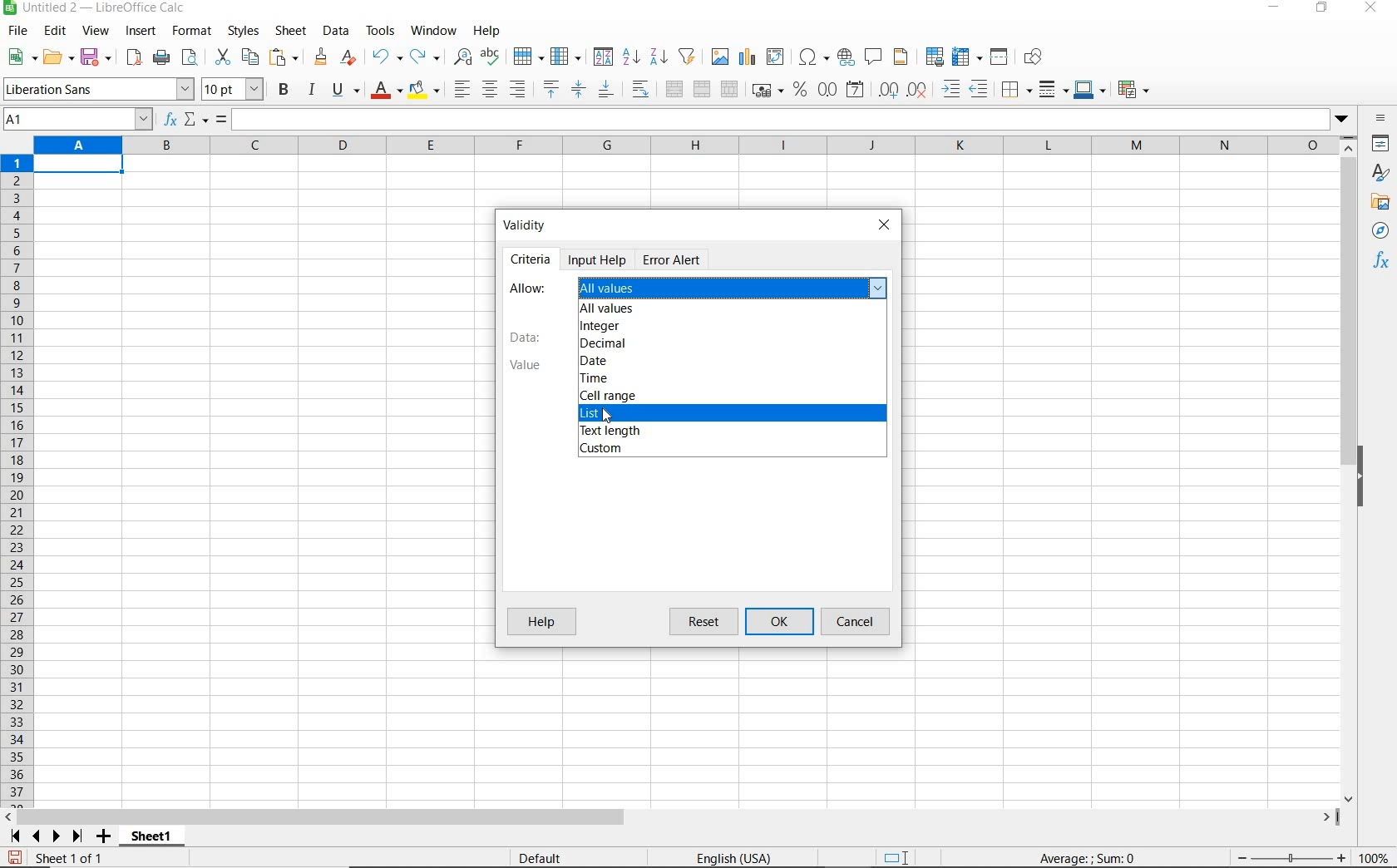  Describe the element at coordinates (729, 89) in the screenshot. I see `unmerge cells` at that location.